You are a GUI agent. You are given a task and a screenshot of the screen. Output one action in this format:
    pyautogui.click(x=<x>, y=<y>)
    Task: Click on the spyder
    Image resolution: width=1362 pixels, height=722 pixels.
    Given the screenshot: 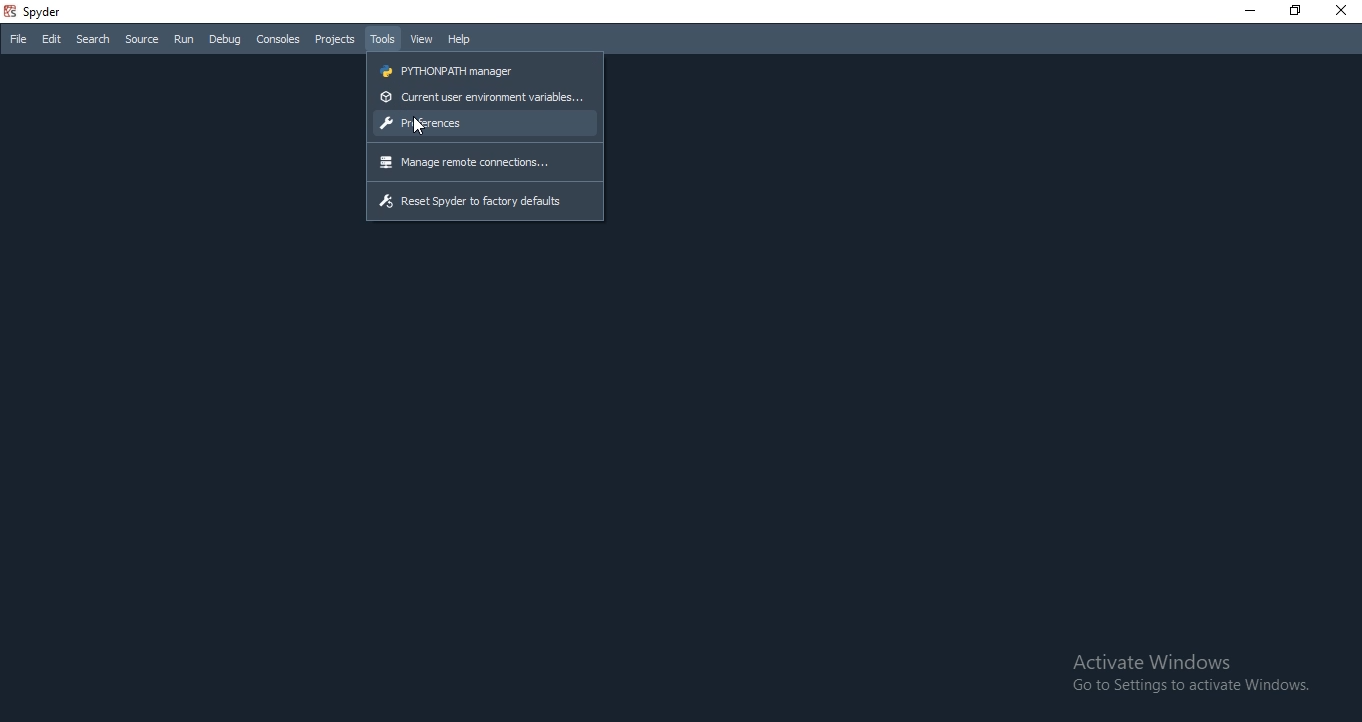 What is the action you would take?
    pyautogui.click(x=44, y=13)
    